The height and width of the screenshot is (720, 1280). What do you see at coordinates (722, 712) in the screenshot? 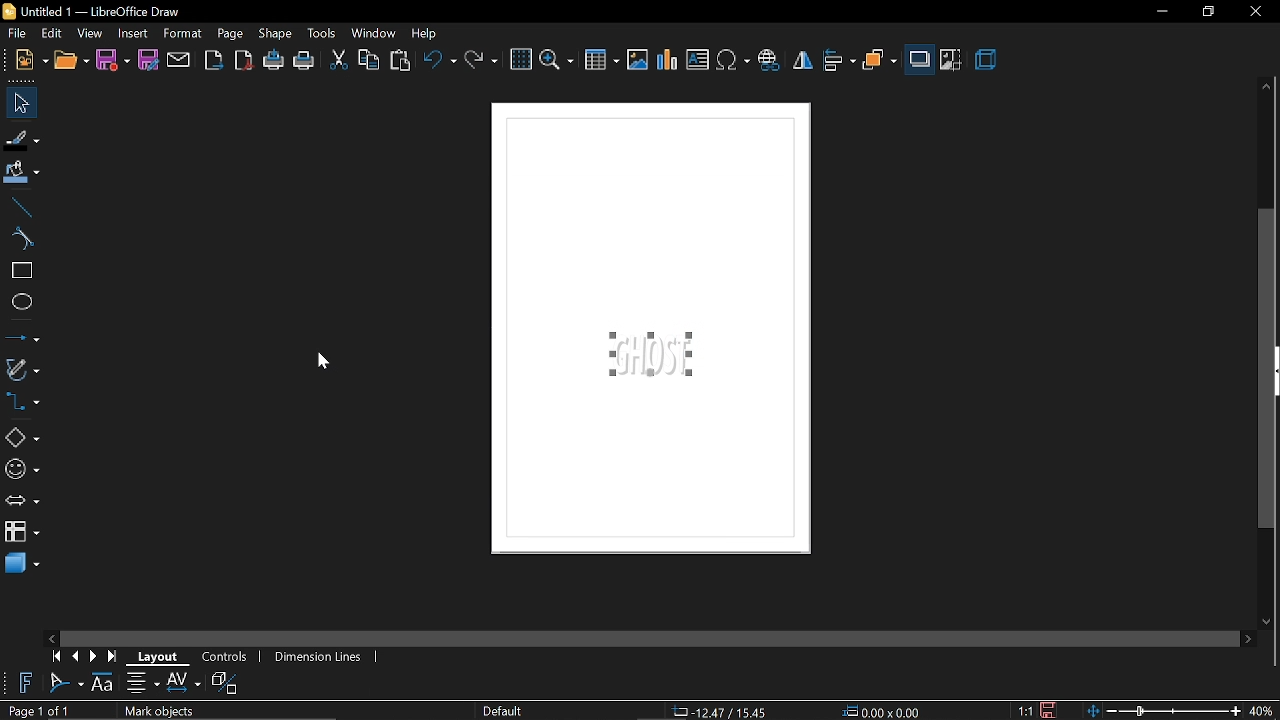
I see `-22.26/-4.09` at bounding box center [722, 712].